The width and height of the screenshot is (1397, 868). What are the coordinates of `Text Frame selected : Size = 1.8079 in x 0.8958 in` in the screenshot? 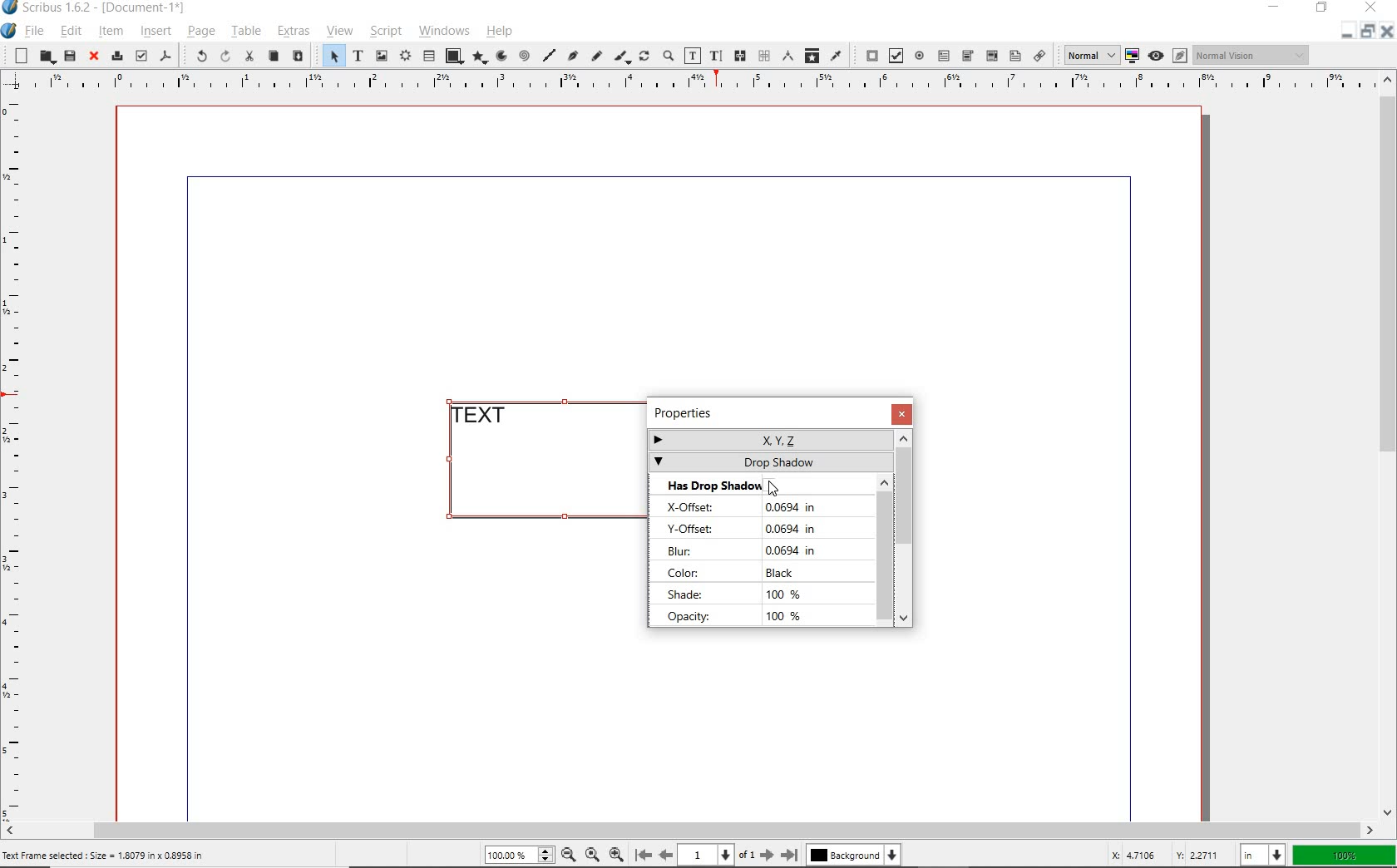 It's located at (105, 856).